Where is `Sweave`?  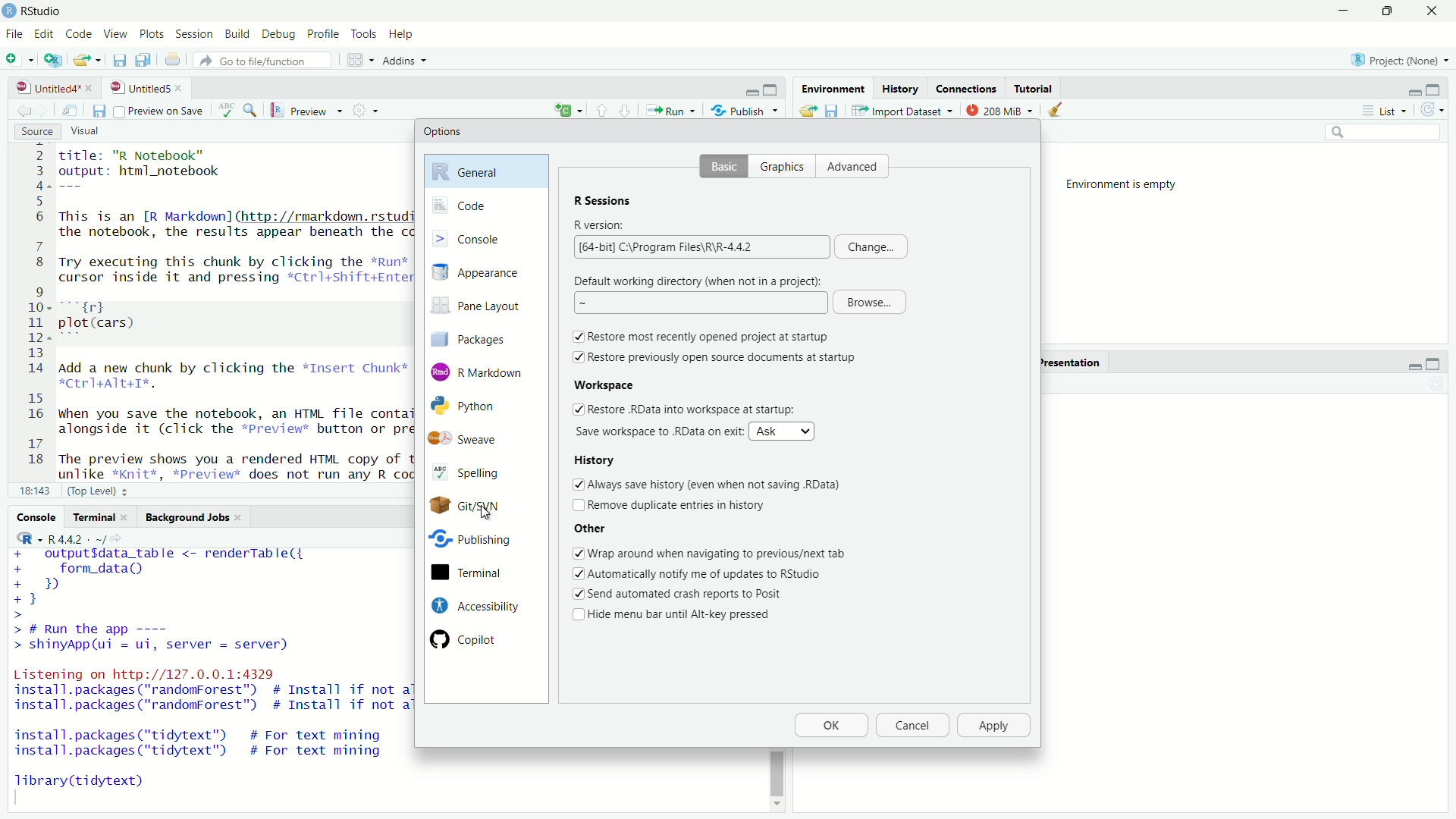 Sweave is located at coordinates (472, 439).